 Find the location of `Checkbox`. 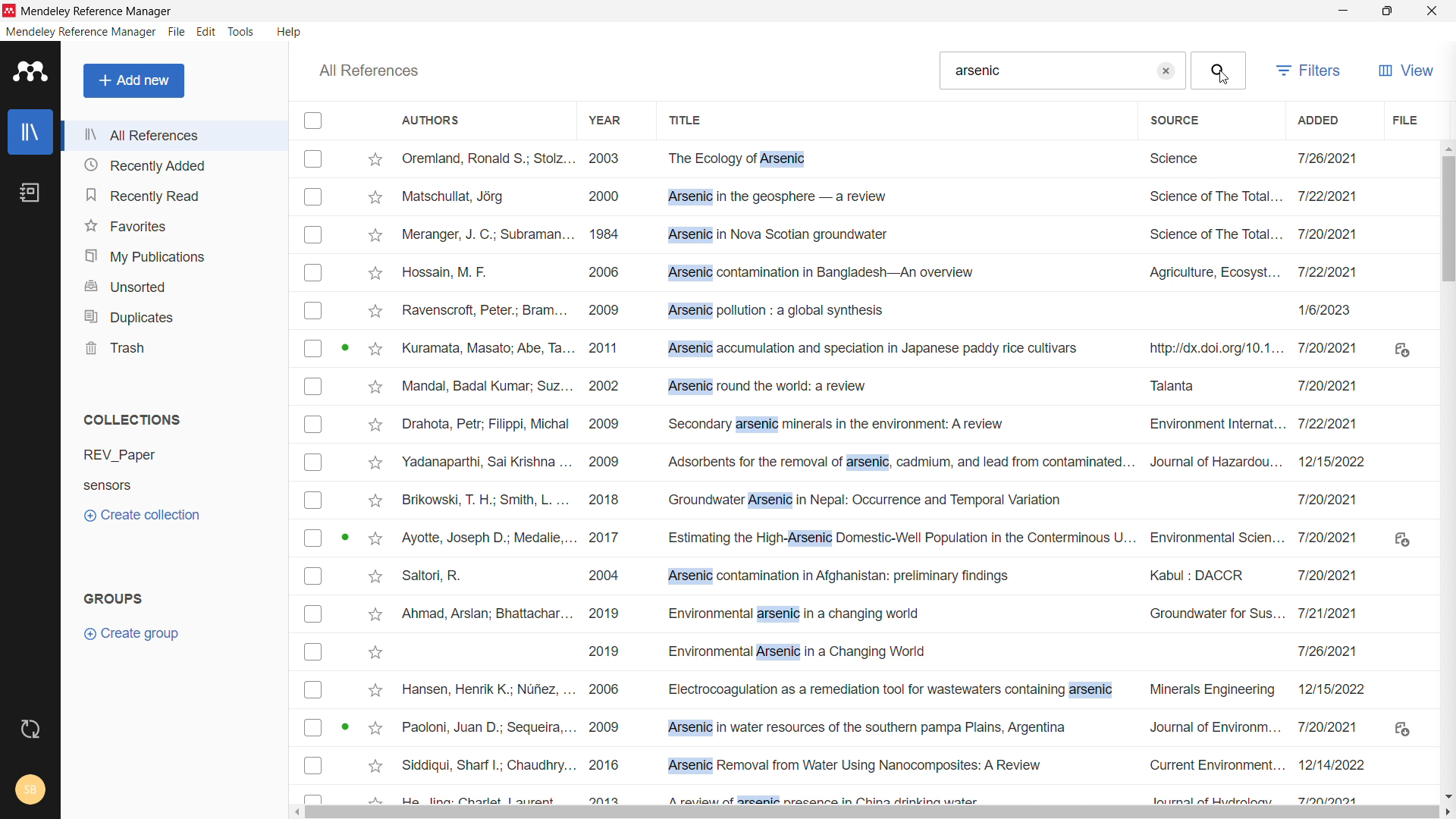

Checkbox is located at coordinates (313, 421).